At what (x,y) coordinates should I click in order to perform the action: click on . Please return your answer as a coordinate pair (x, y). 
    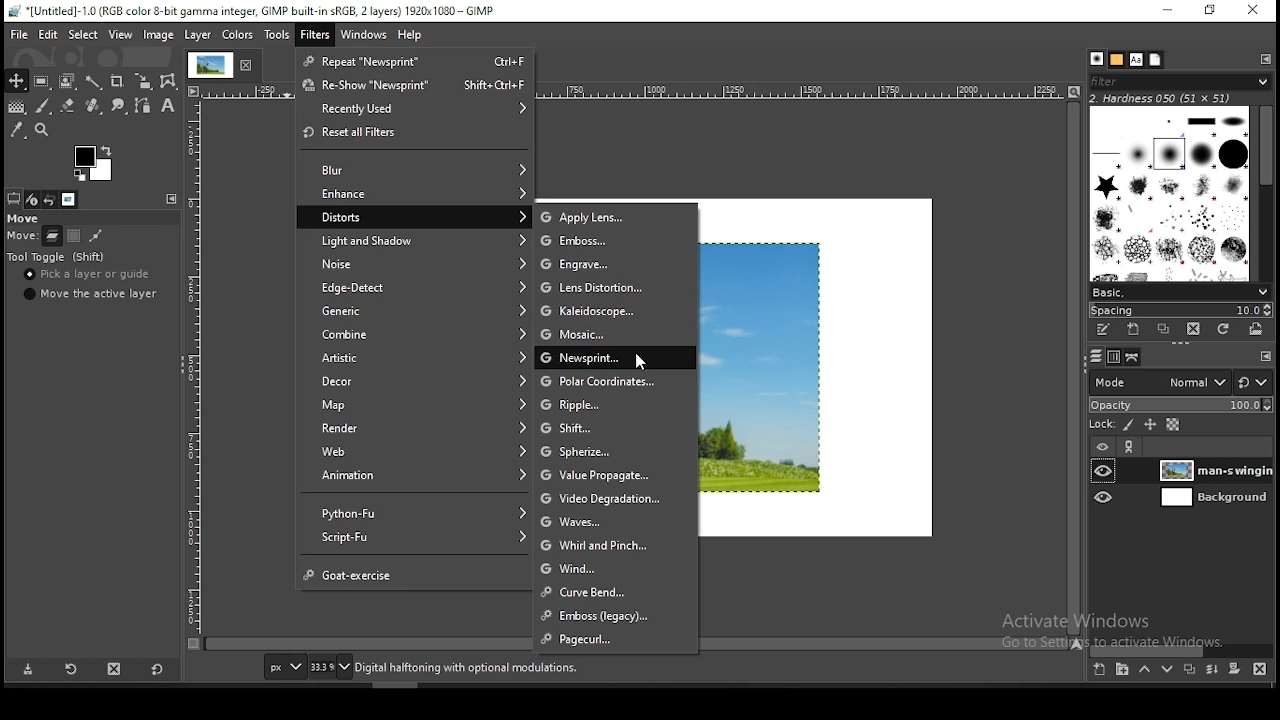
    Looking at the image, I should click on (1267, 357).